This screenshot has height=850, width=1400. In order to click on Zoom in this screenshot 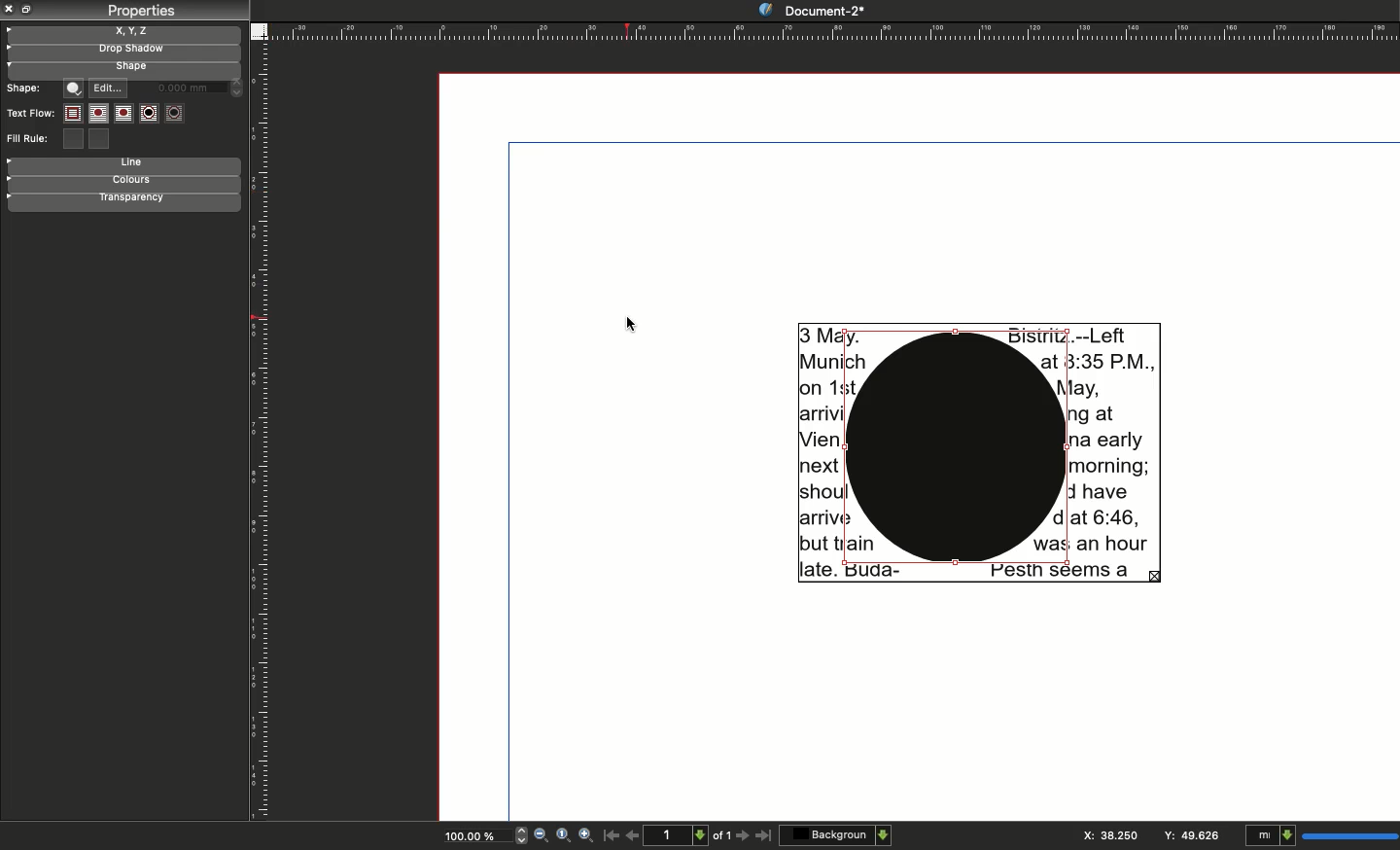, I will do `click(563, 837)`.